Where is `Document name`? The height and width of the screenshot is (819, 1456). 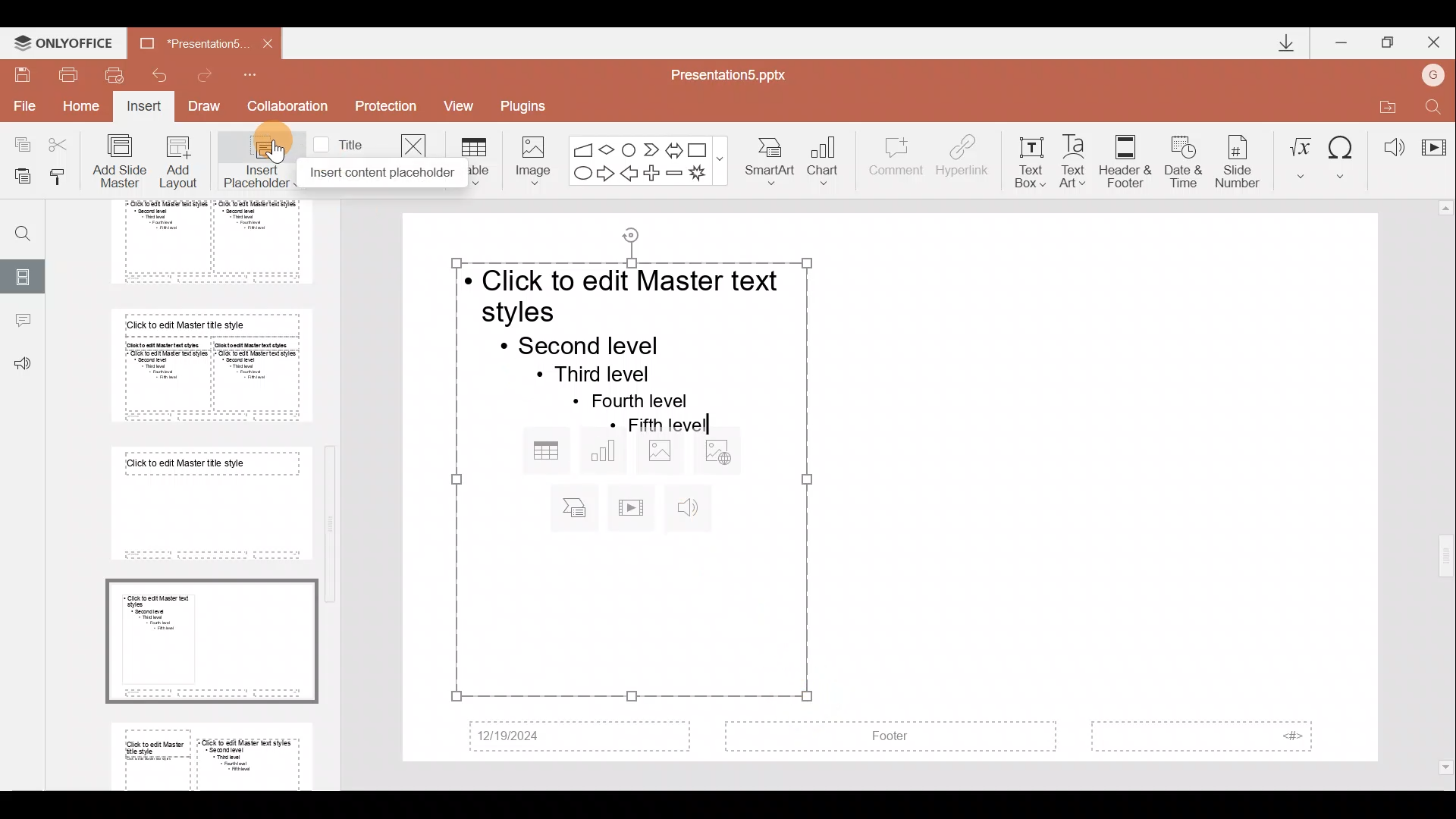
Document name is located at coordinates (737, 74).